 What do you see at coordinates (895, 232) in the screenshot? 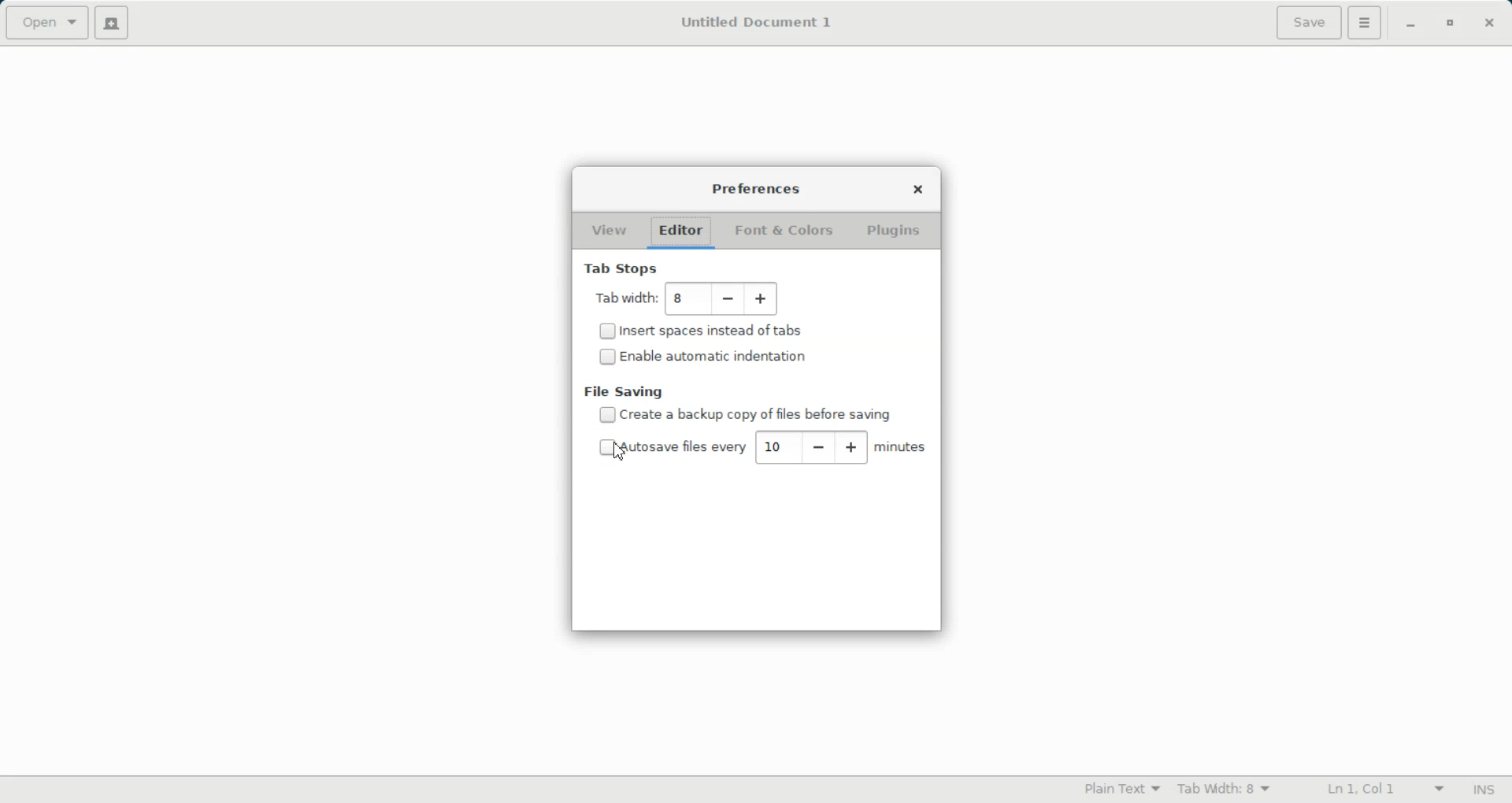
I see `Plugins` at bounding box center [895, 232].